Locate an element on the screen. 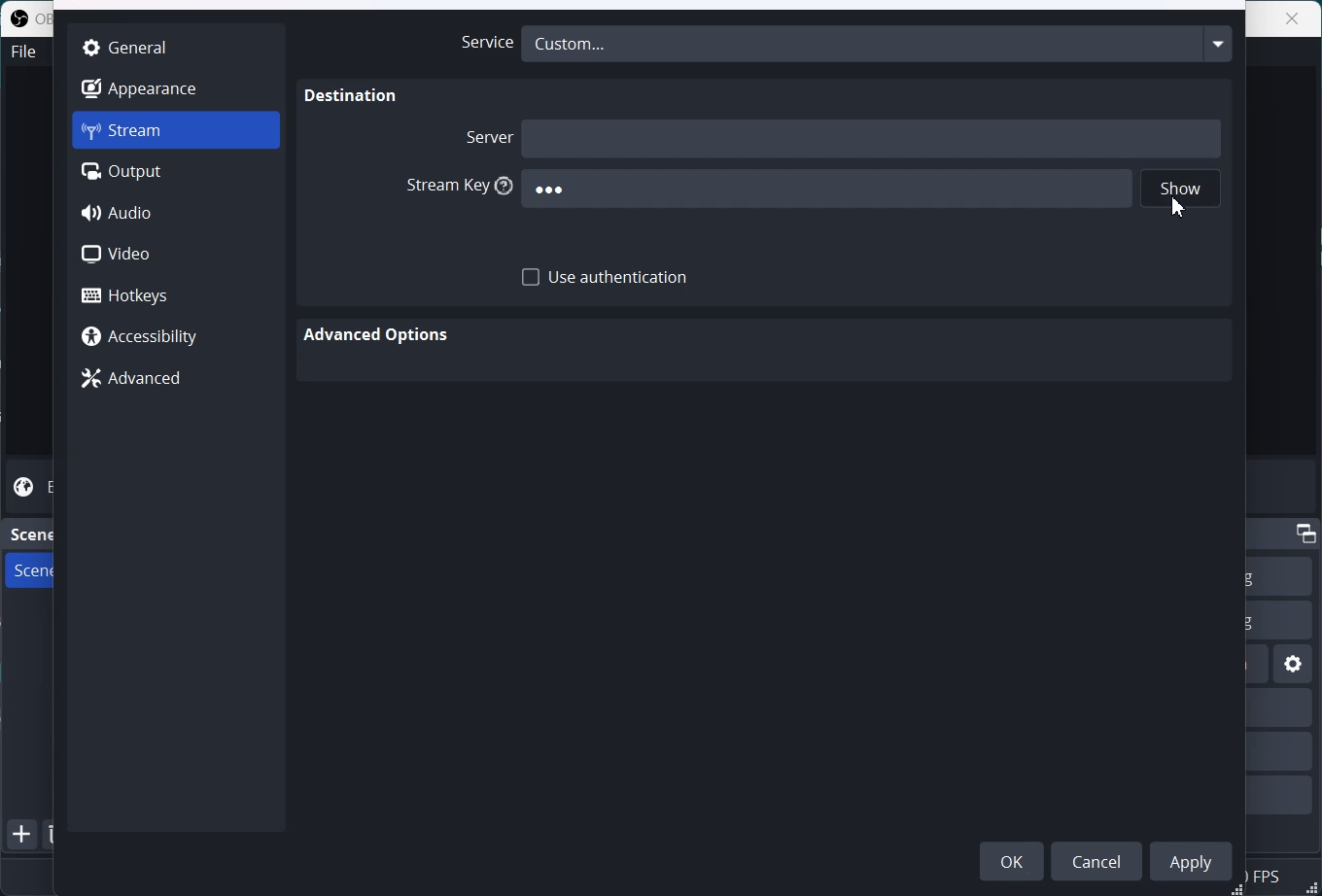 This screenshot has height=896, width=1322. Use Authentication is located at coordinates (606, 278).